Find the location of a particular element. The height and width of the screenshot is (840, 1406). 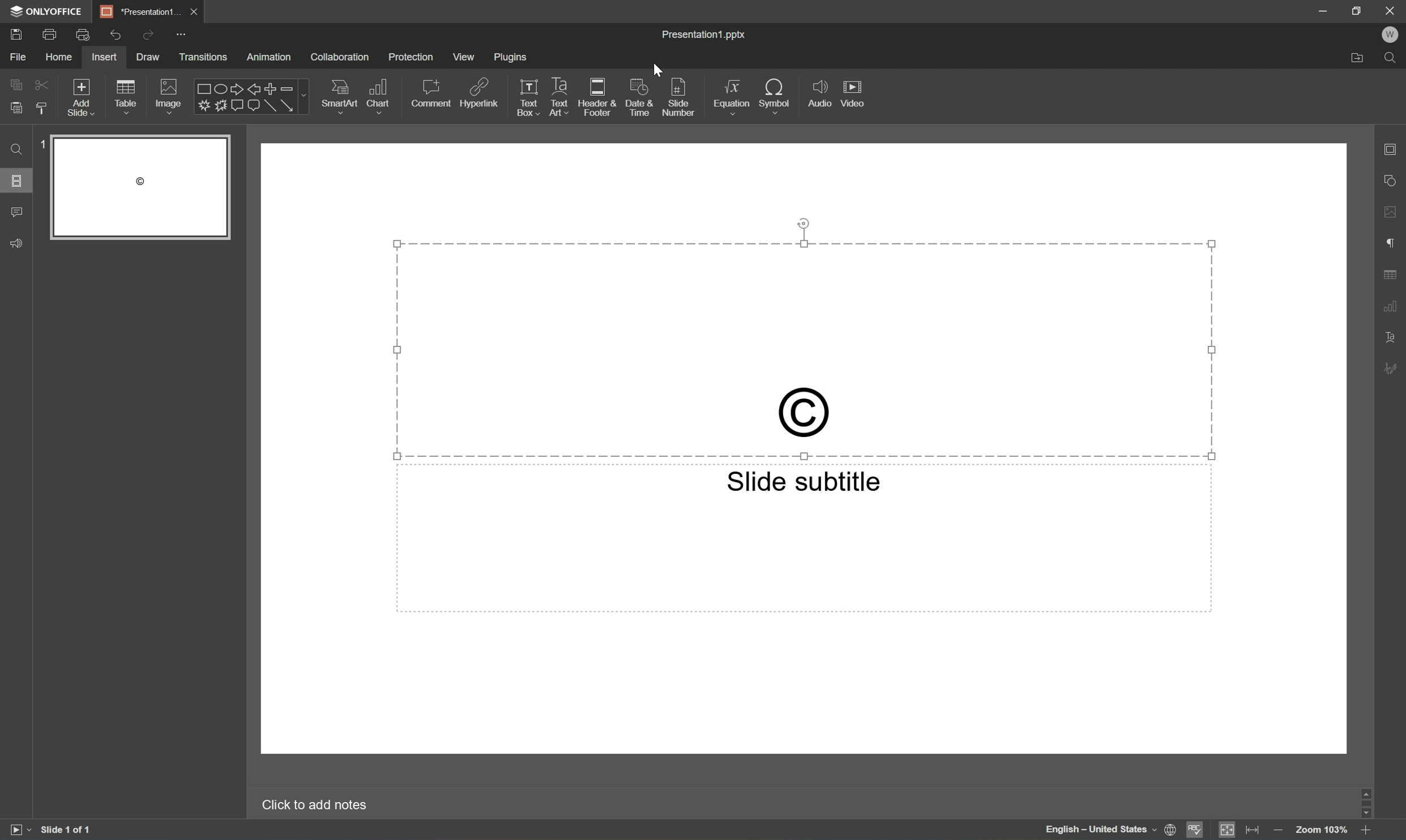

Close is located at coordinates (194, 11).